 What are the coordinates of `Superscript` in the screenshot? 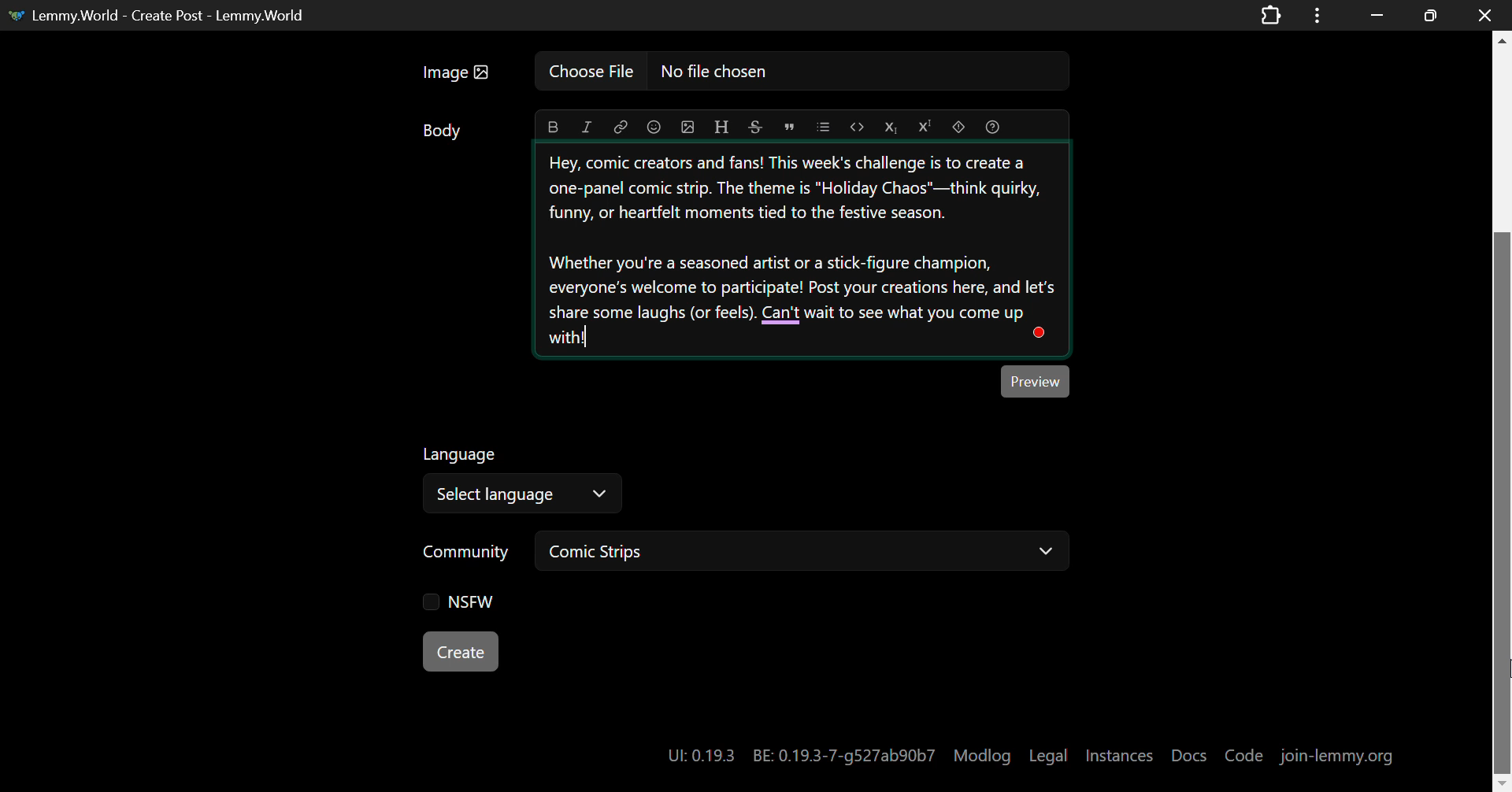 It's located at (925, 125).